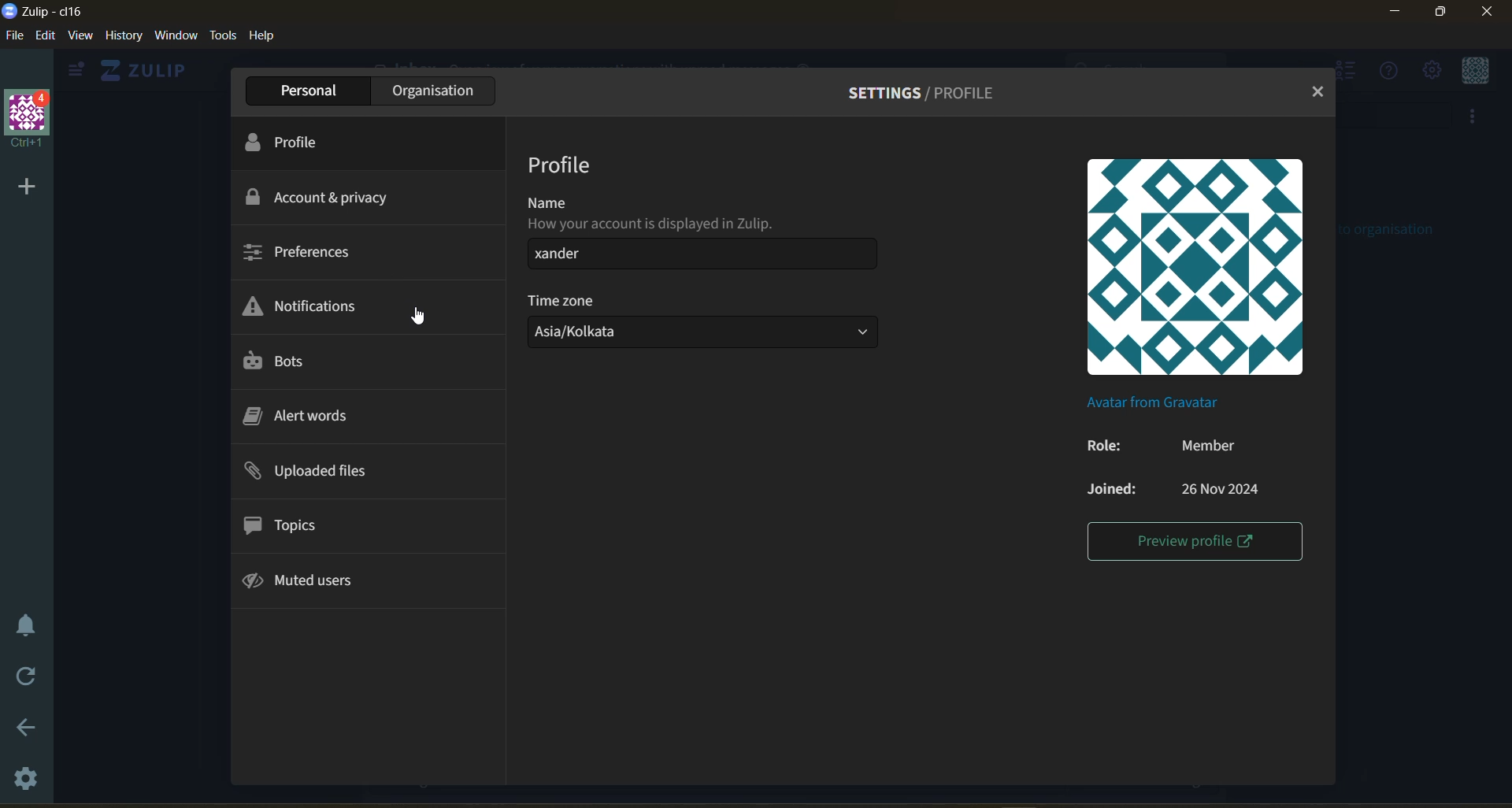 The height and width of the screenshot is (808, 1512). What do you see at coordinates (83, 37) in the screenshot?
I see `view` at bounding box center [83, 37].